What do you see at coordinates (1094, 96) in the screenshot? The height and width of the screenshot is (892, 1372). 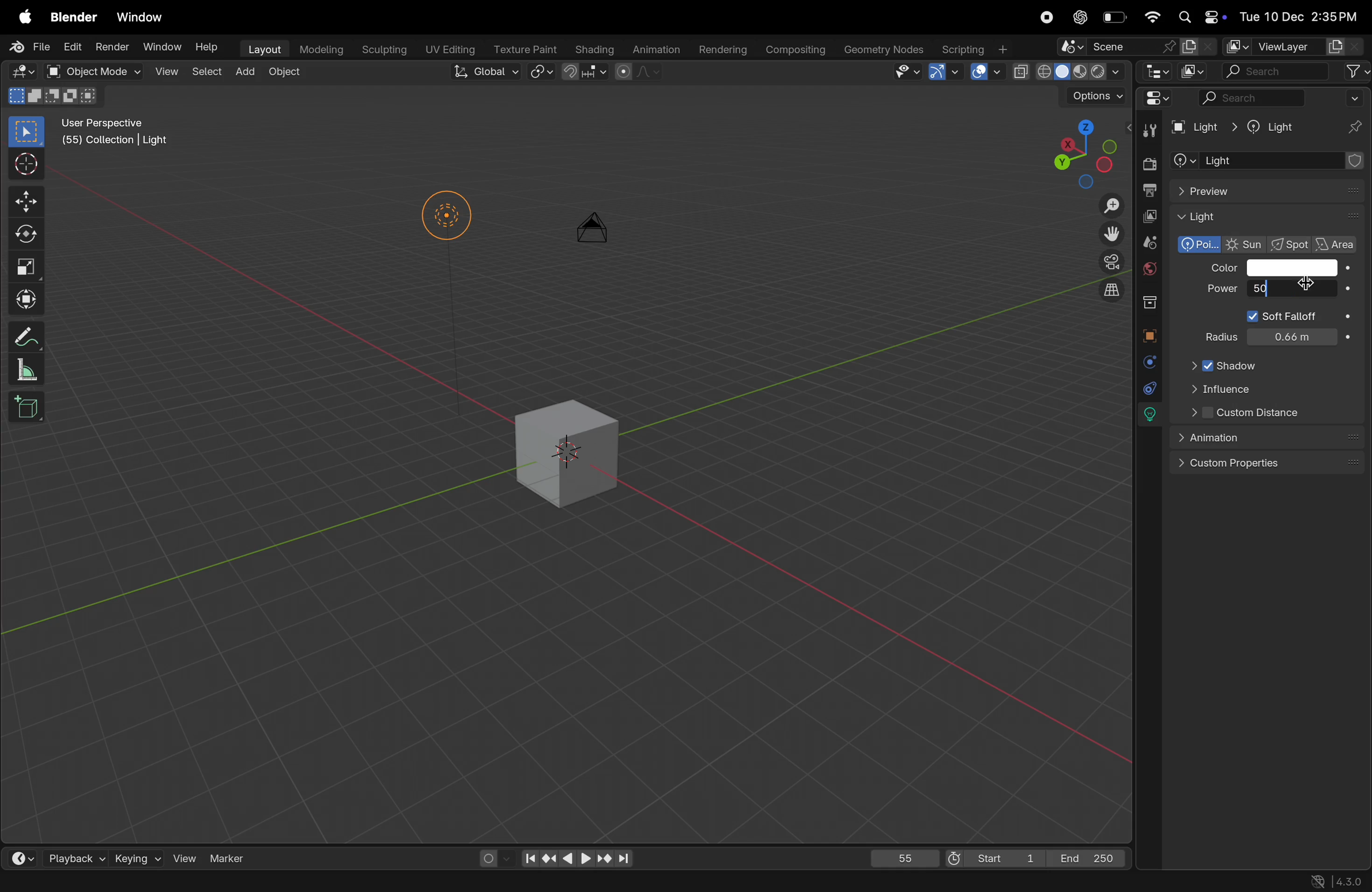 I see `option` at bounding box center [1094, 96].